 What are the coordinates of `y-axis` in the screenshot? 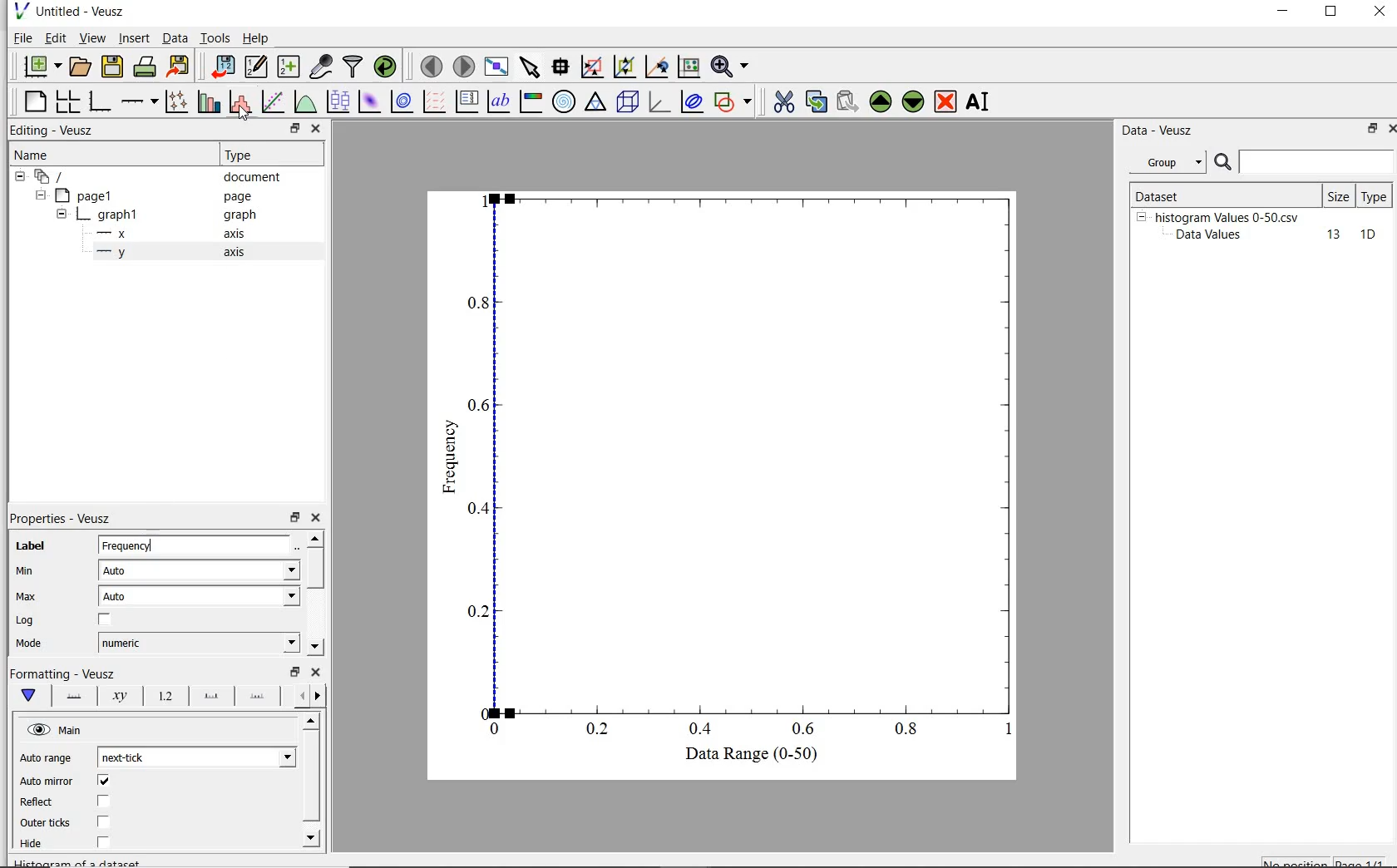 It's located at (115, 253).